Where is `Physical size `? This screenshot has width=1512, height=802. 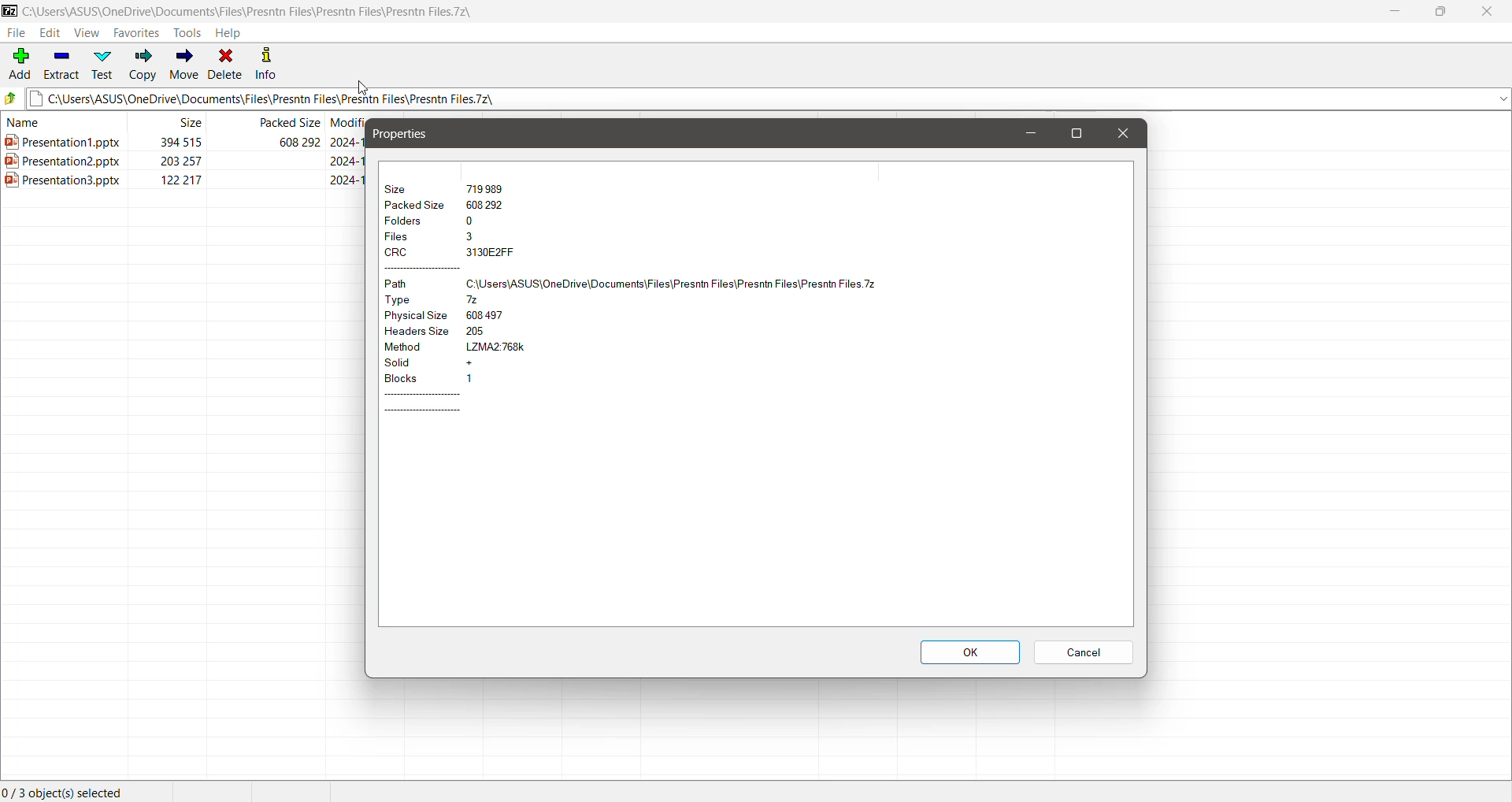
Physical size  is located at coordinates (418, 317).